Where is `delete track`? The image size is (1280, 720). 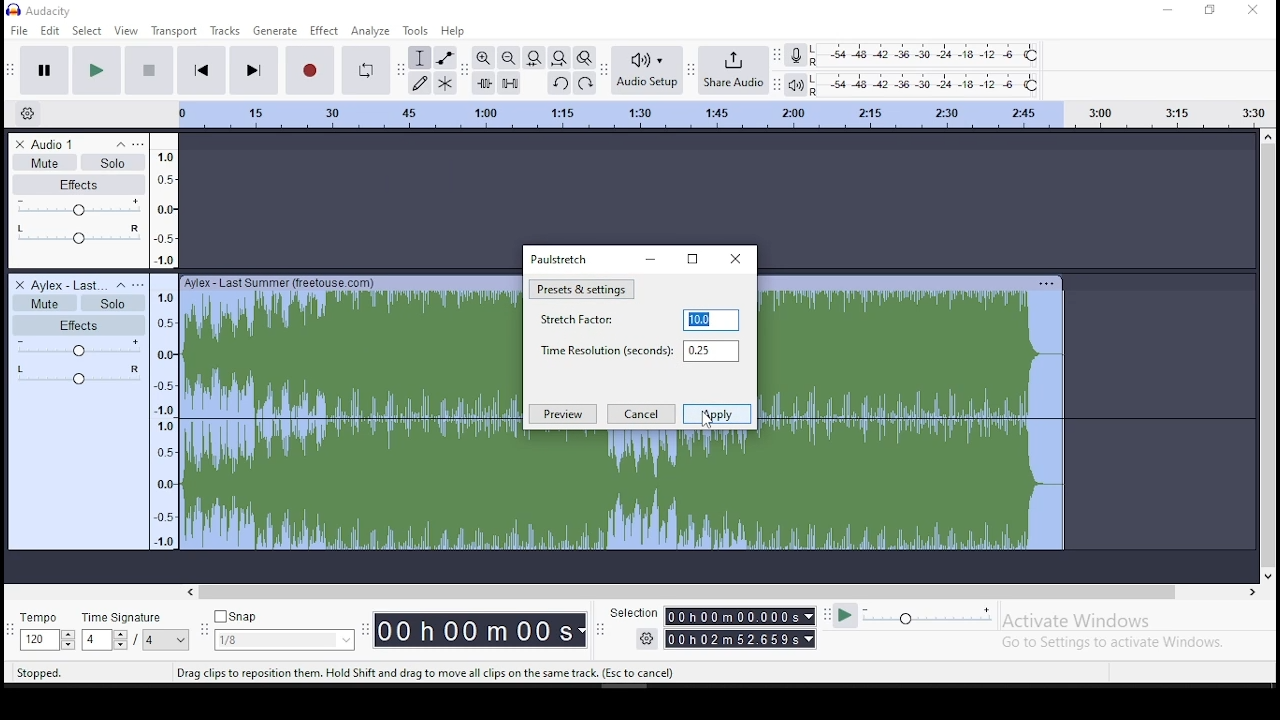 delete track is located at coordinates (21, 284).